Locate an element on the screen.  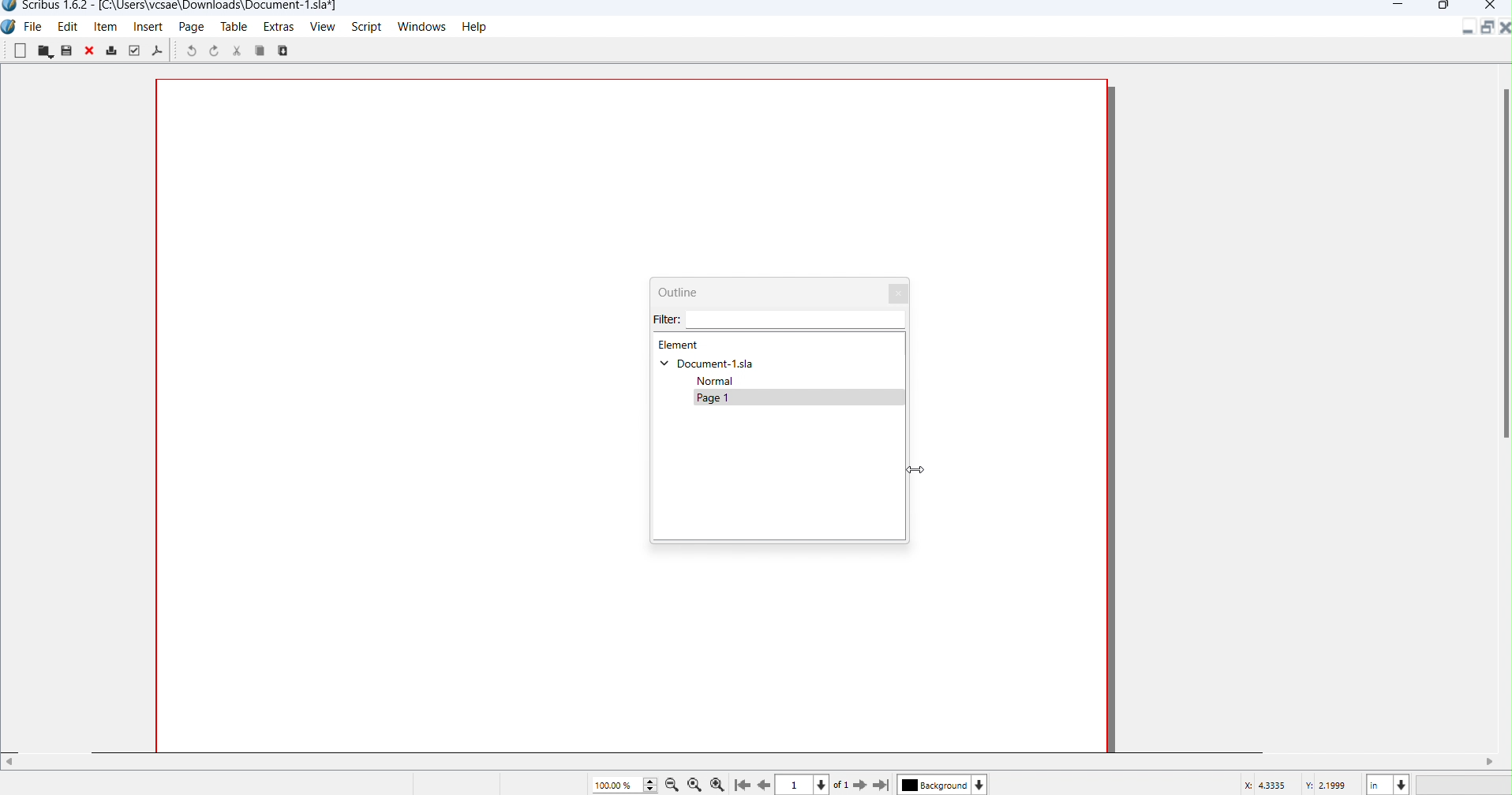
Close is located at coordinates (900, 293).